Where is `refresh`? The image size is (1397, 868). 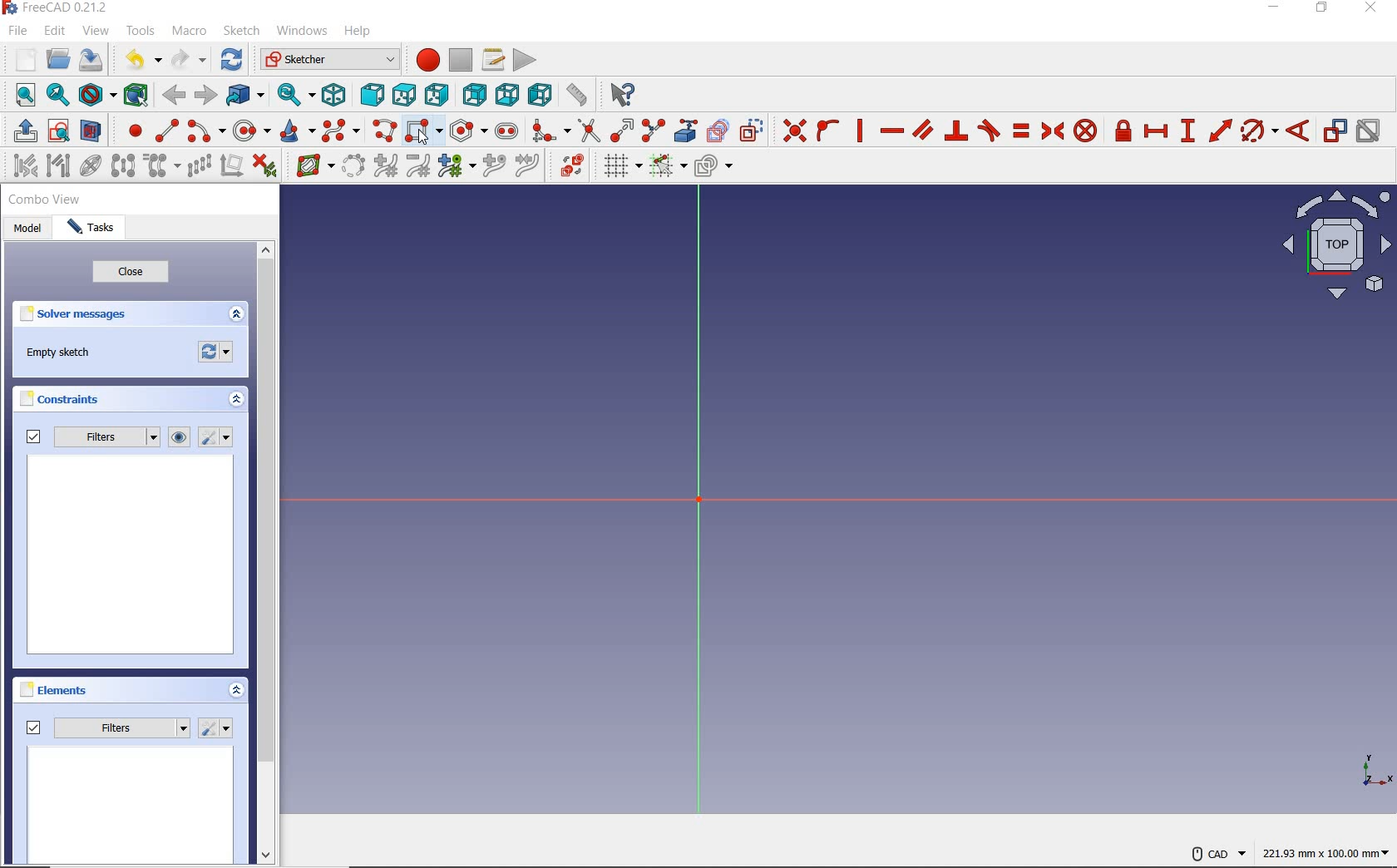
refresh is located at coordinates (231, 60).